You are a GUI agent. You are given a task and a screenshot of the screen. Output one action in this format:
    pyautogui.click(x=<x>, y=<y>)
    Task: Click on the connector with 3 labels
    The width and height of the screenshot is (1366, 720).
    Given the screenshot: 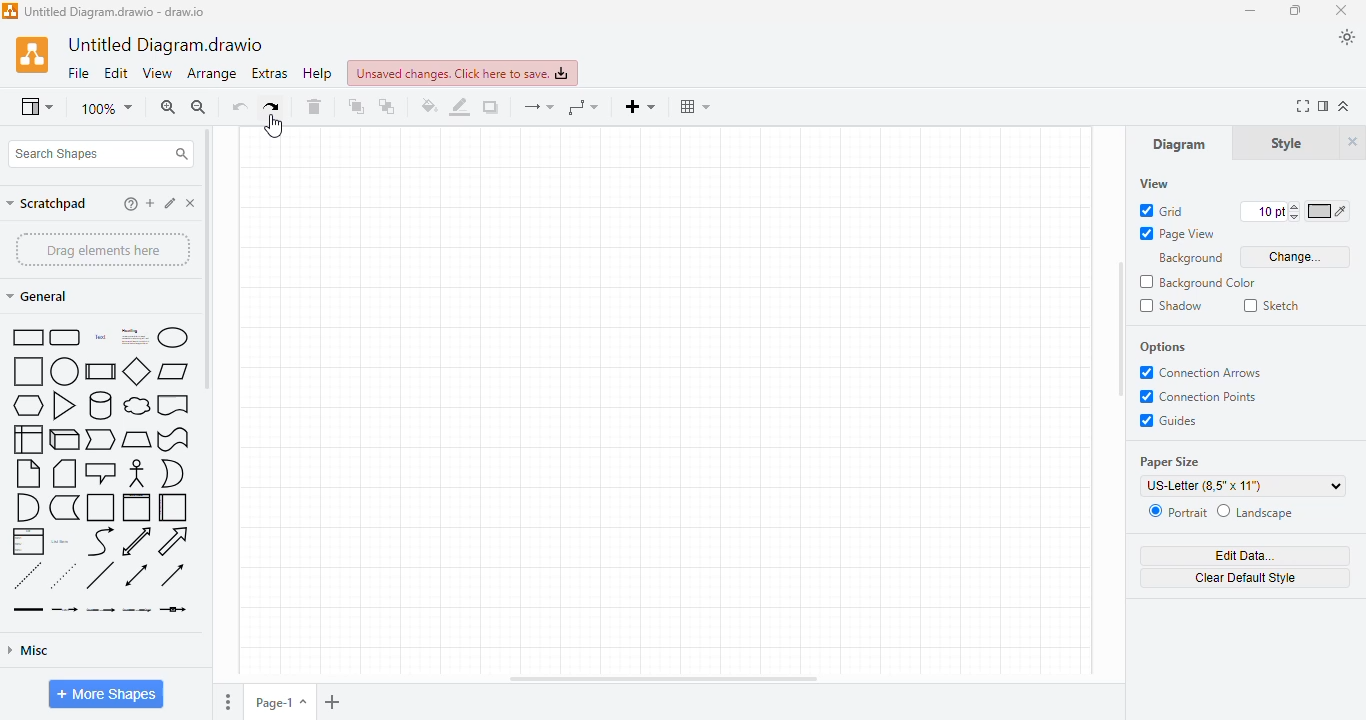 What is the action you would take?
    pyautogui.click(x=137, y=609)
    